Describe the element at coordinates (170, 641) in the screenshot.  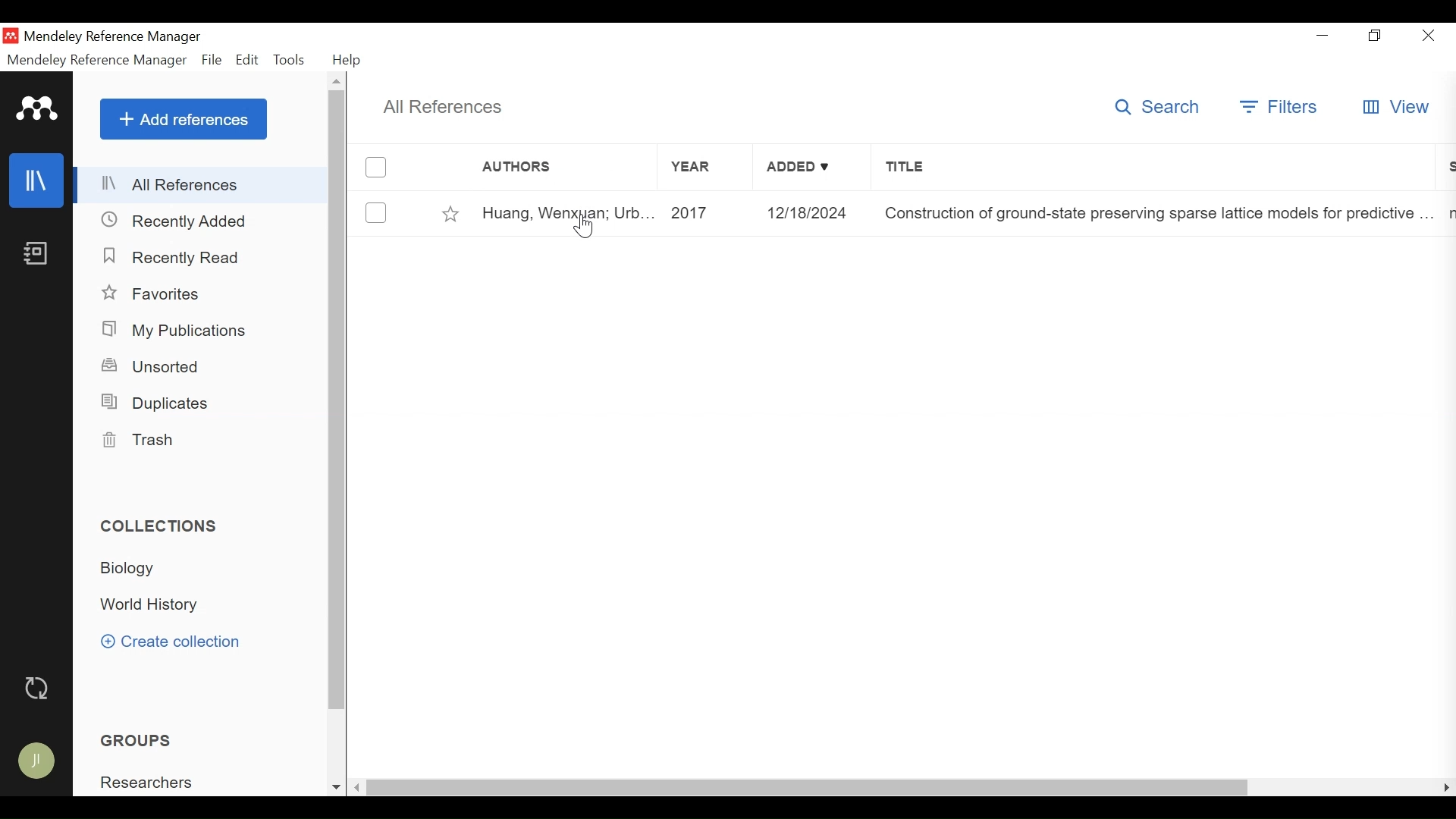
I see `Create Collection` at that location.